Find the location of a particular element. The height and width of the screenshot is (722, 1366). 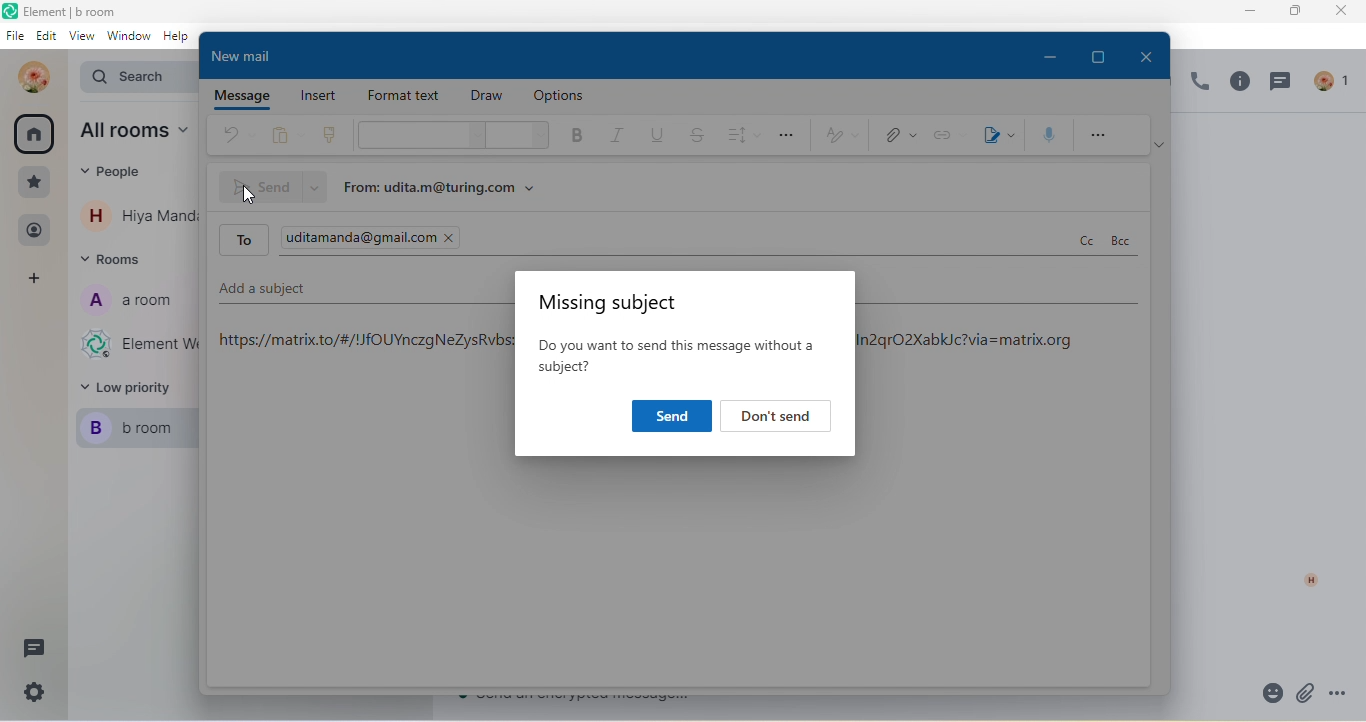

send is located at coordinates (669, 417).